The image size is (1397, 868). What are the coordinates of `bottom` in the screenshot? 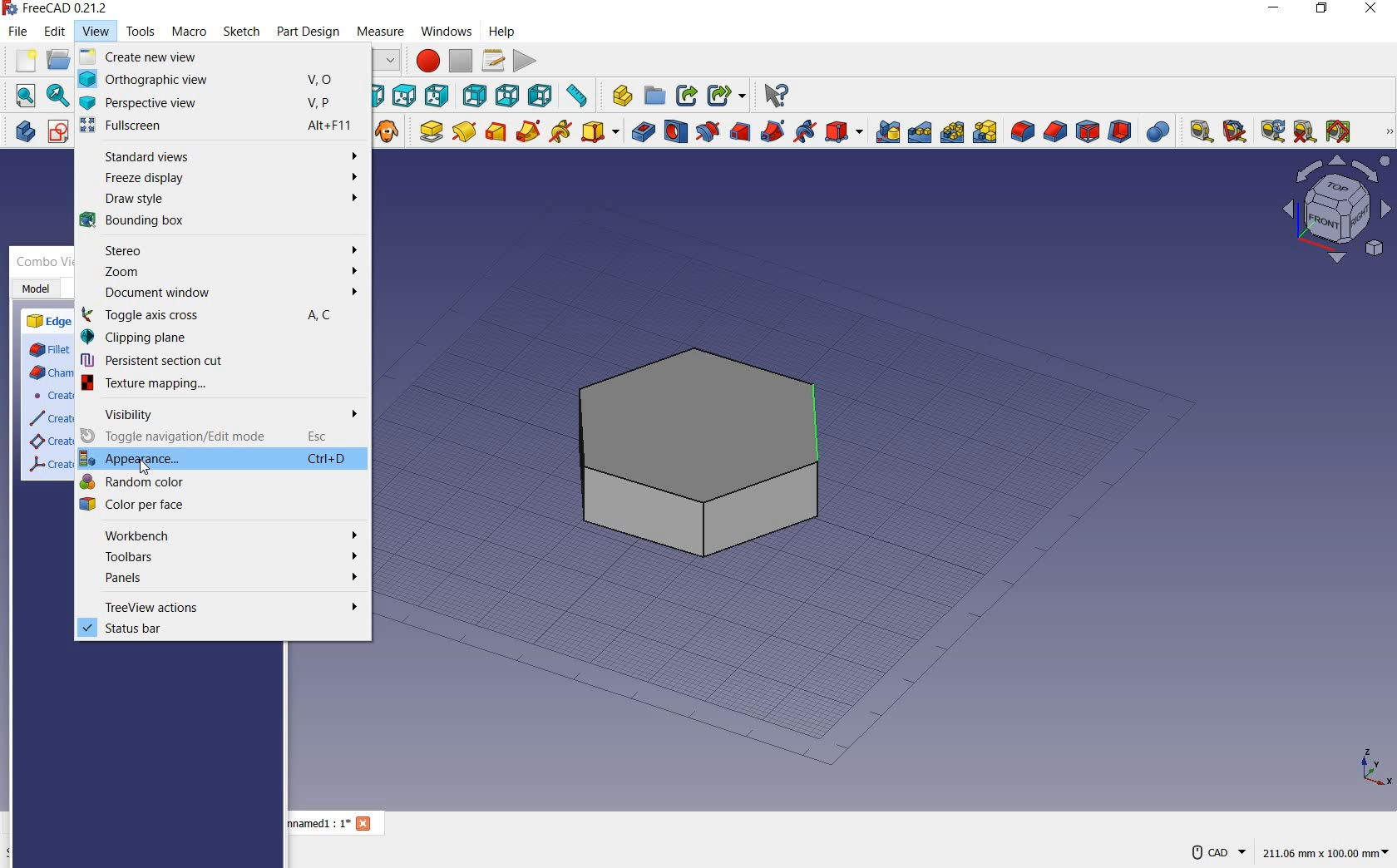 It's located at (510, 95).